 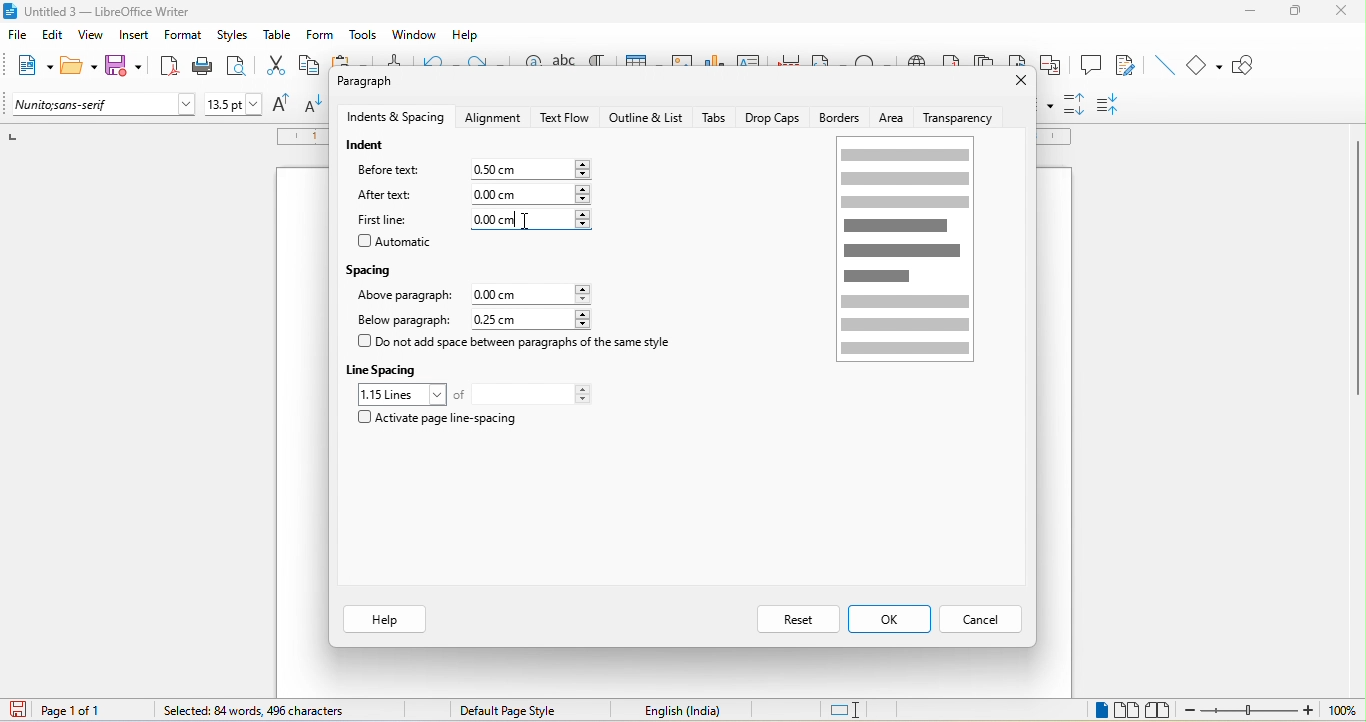 I want to click on basic shapes, so click(x=1206, y=66).